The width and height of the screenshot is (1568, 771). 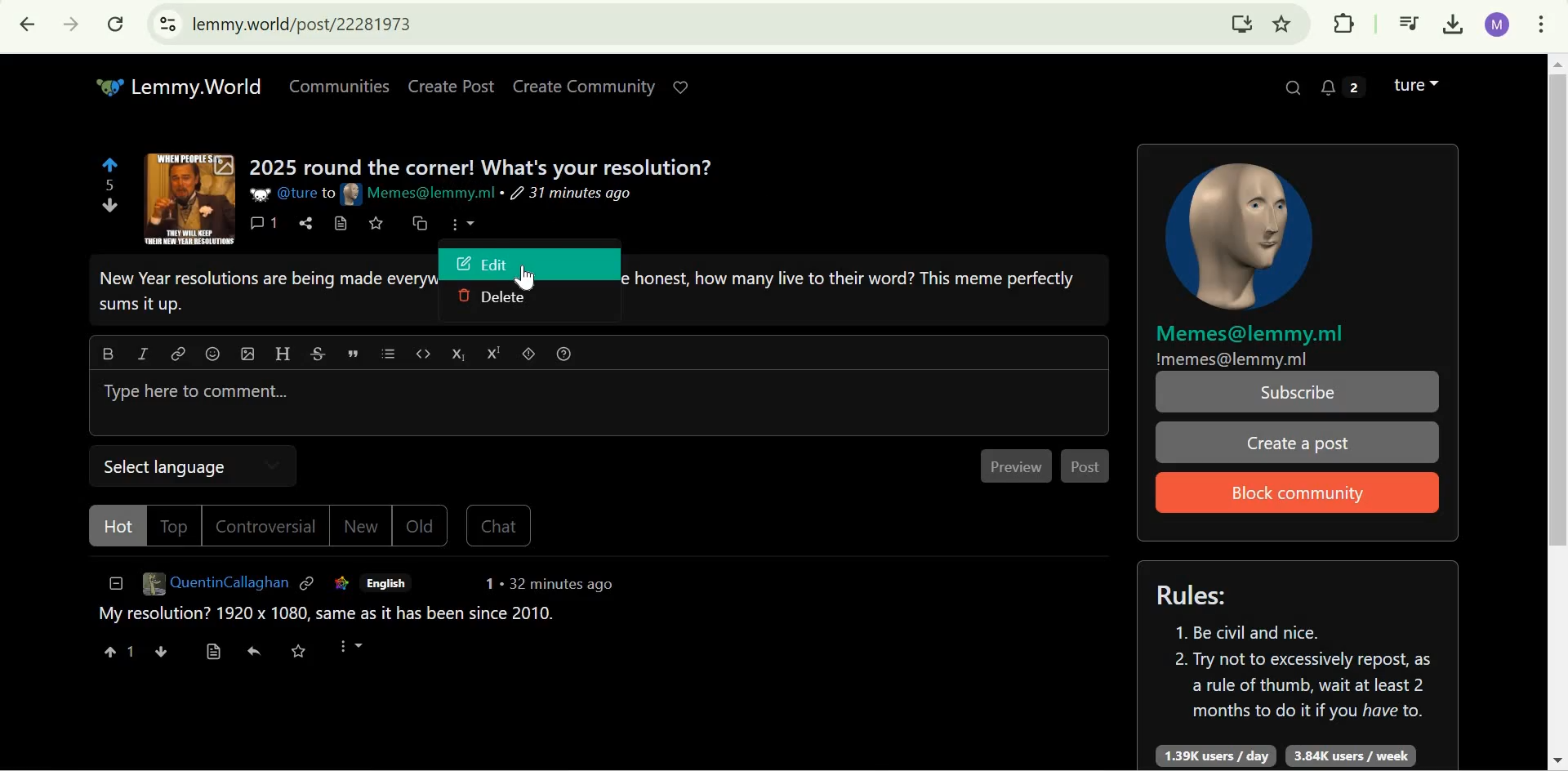 What do you see at coordinates (318, 615) in the screenshot?
I see `My resolution? 1920 x 1080, same as it has been since 2010.` at bounding box center [318, 615].